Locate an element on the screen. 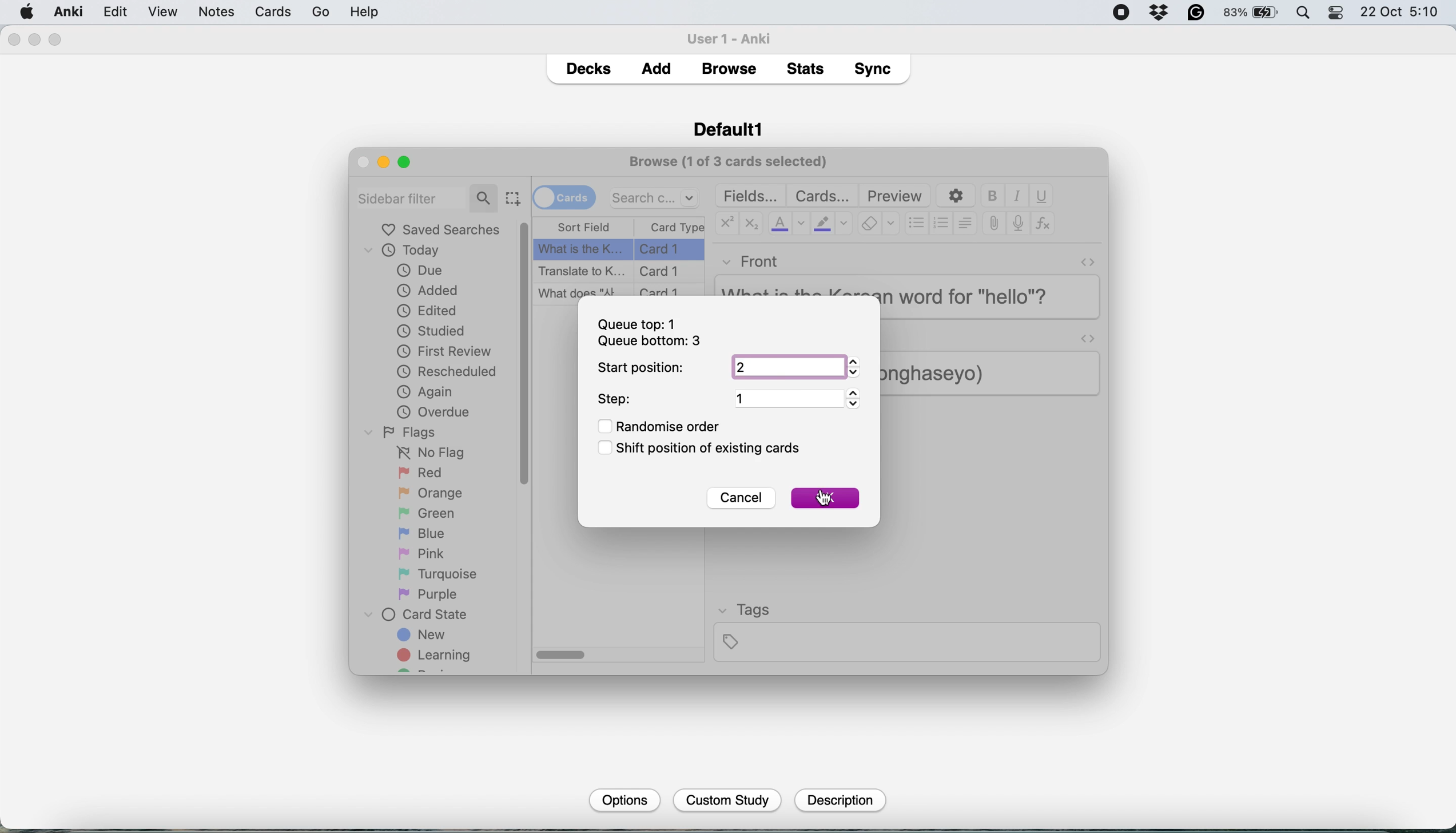  system logo is located at coordinates (27, 11).